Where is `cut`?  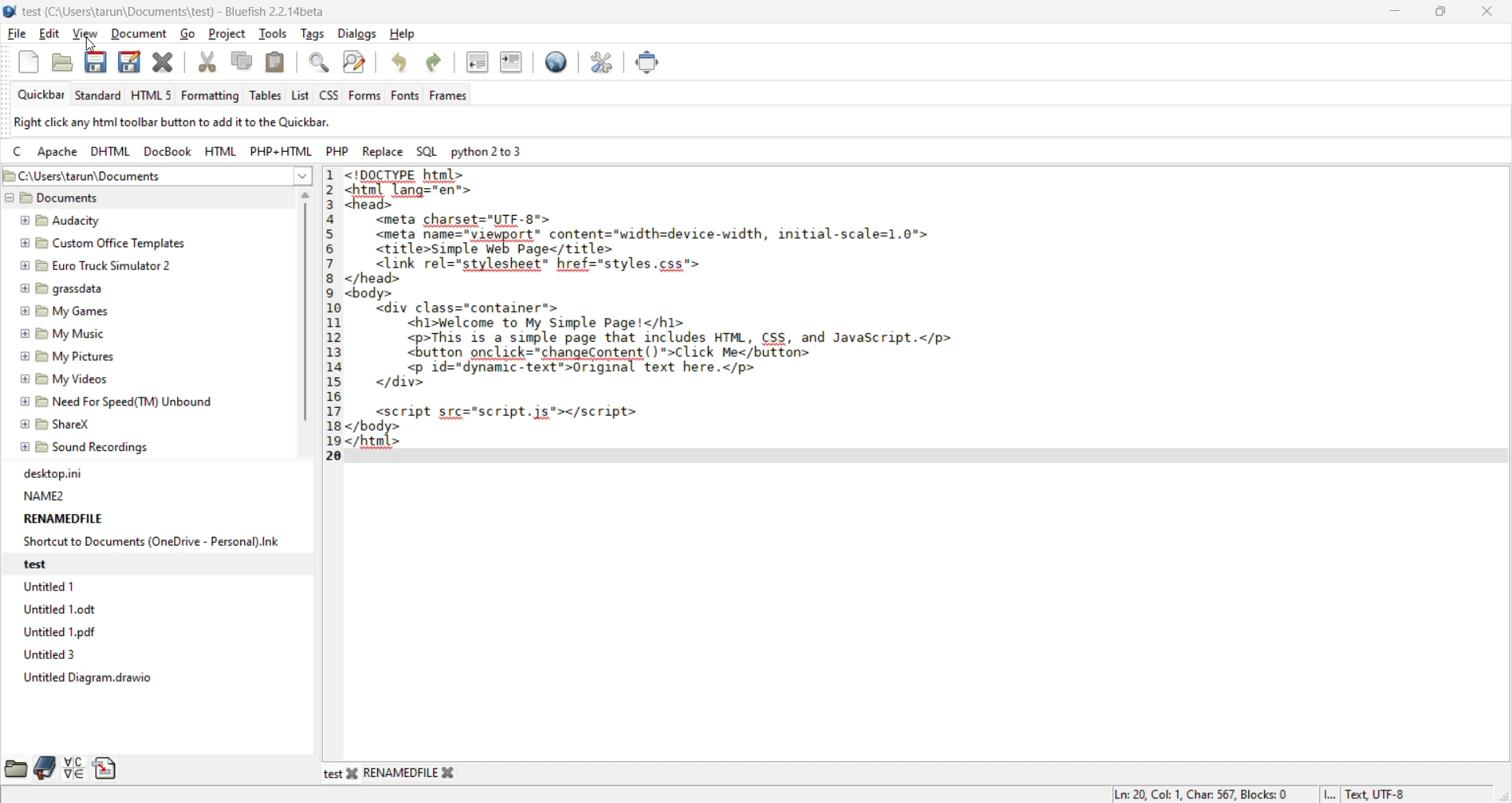
cut is located at coordinates (207, 63).